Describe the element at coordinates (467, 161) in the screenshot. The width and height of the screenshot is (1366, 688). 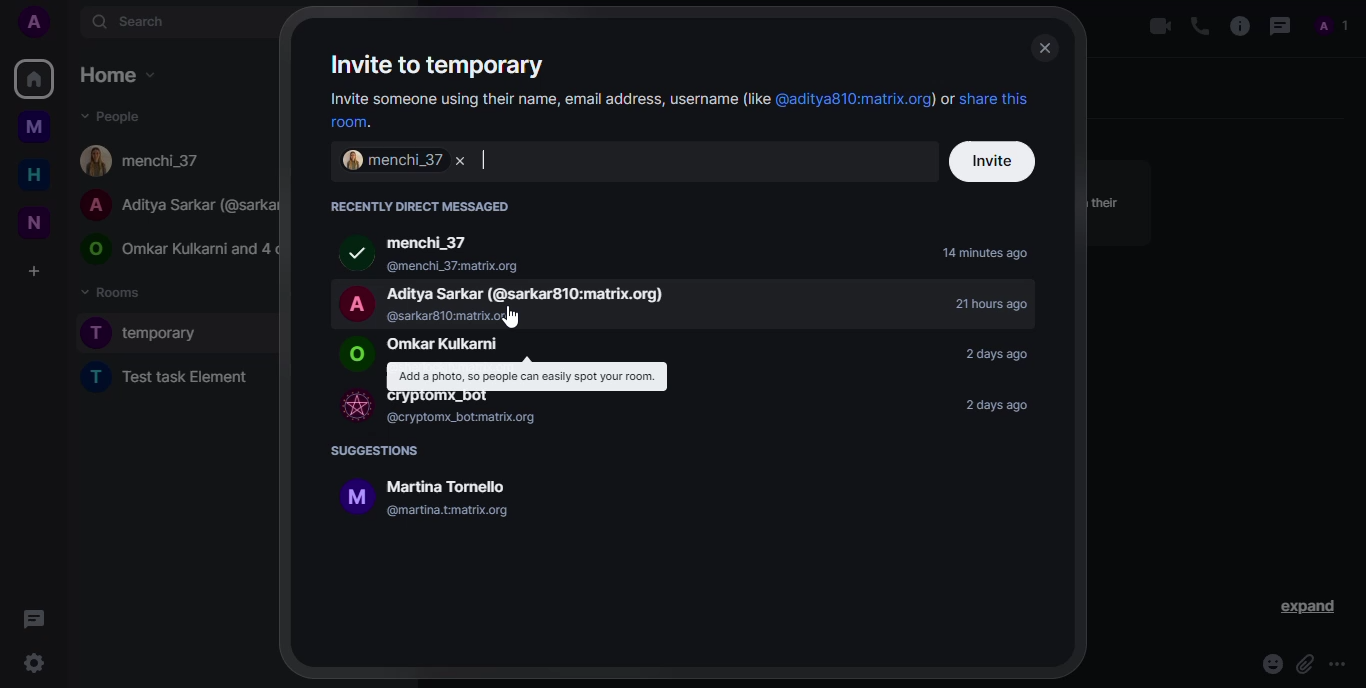
I see `close` at that location.